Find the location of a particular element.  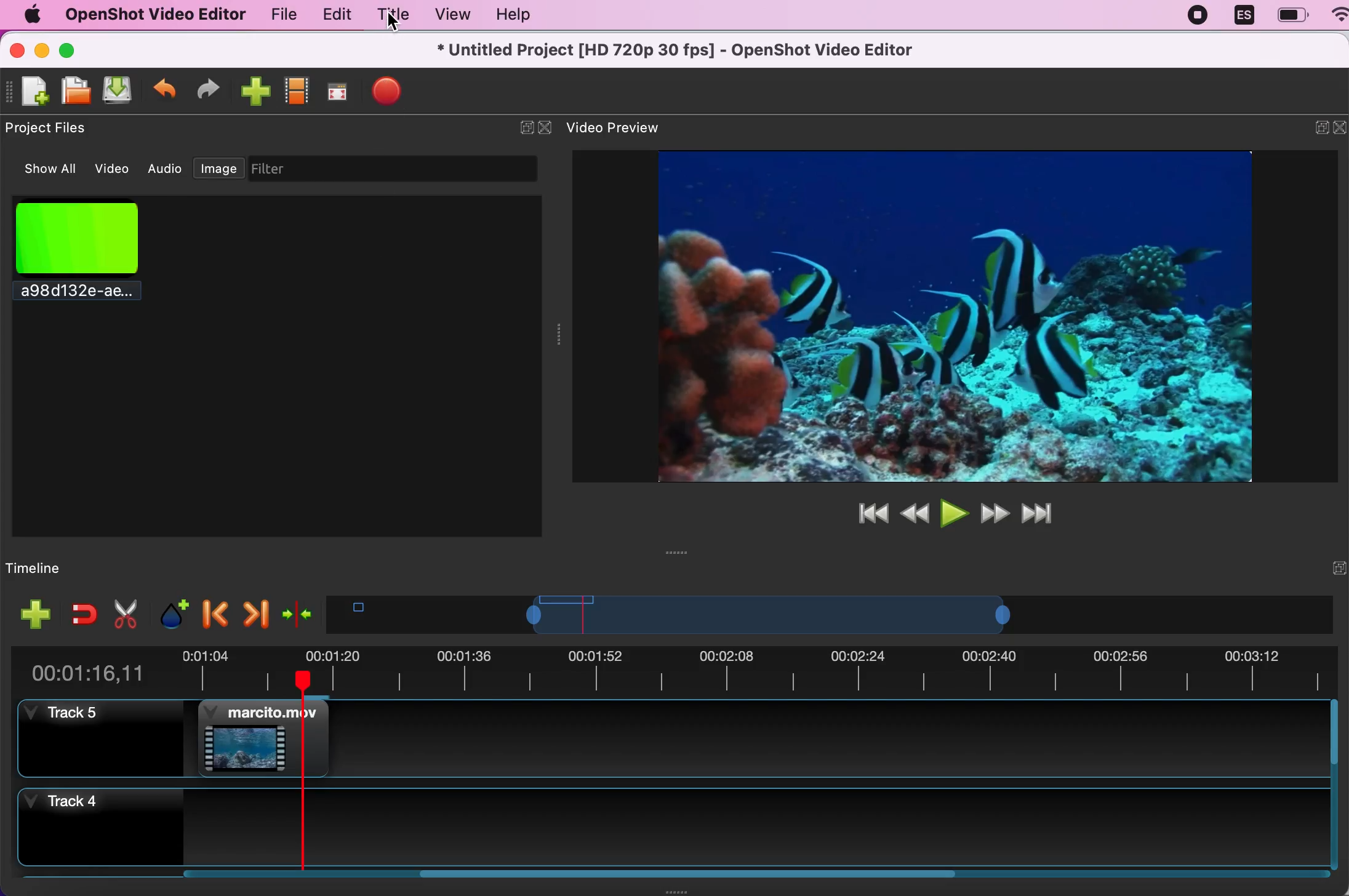

WIFI is located at coordinates (1340, 14).